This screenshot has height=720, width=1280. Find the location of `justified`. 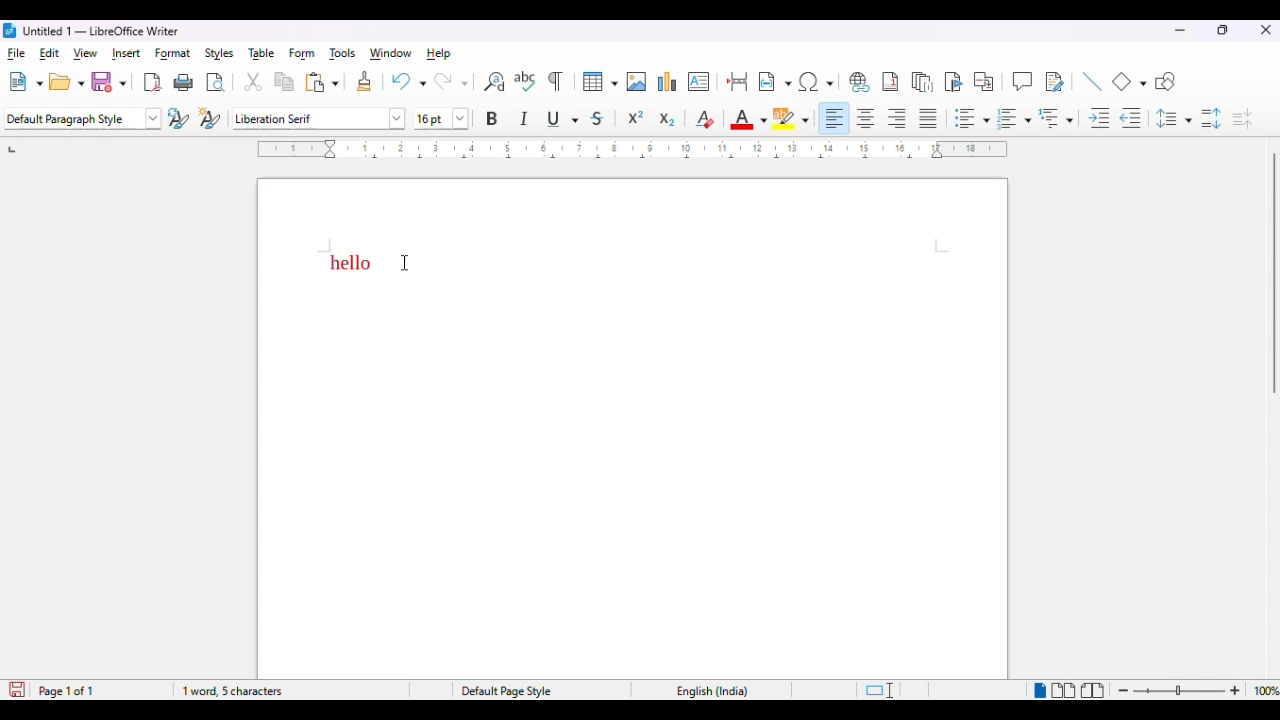

justified is located at coordinates (929, 118).